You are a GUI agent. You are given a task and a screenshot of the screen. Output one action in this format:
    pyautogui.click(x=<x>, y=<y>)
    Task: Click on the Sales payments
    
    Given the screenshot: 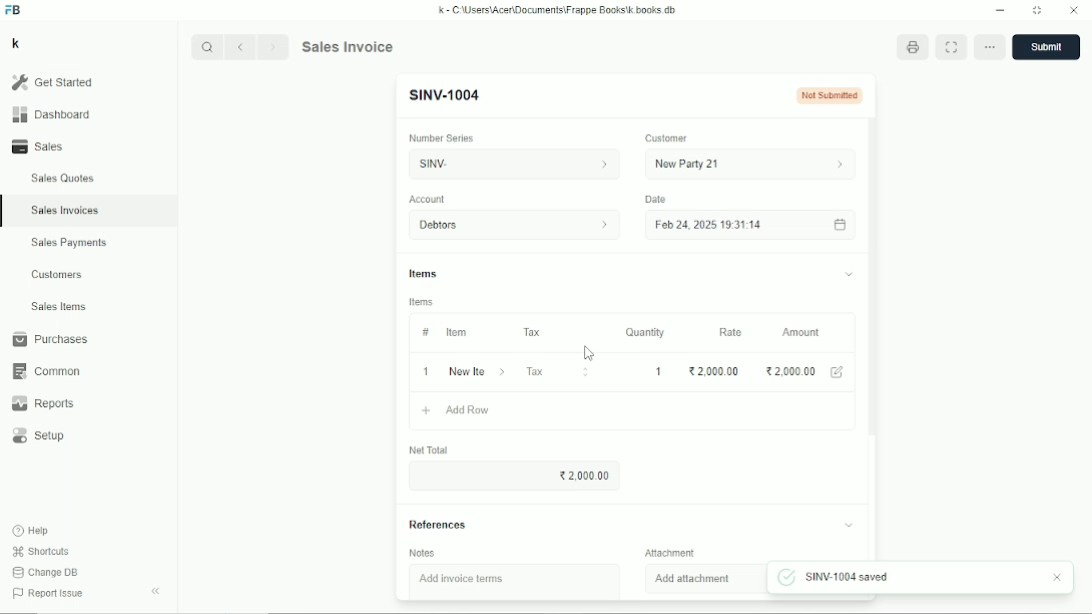 What is the action you would take?
    pyautogui.click(x=72, y=243)
    